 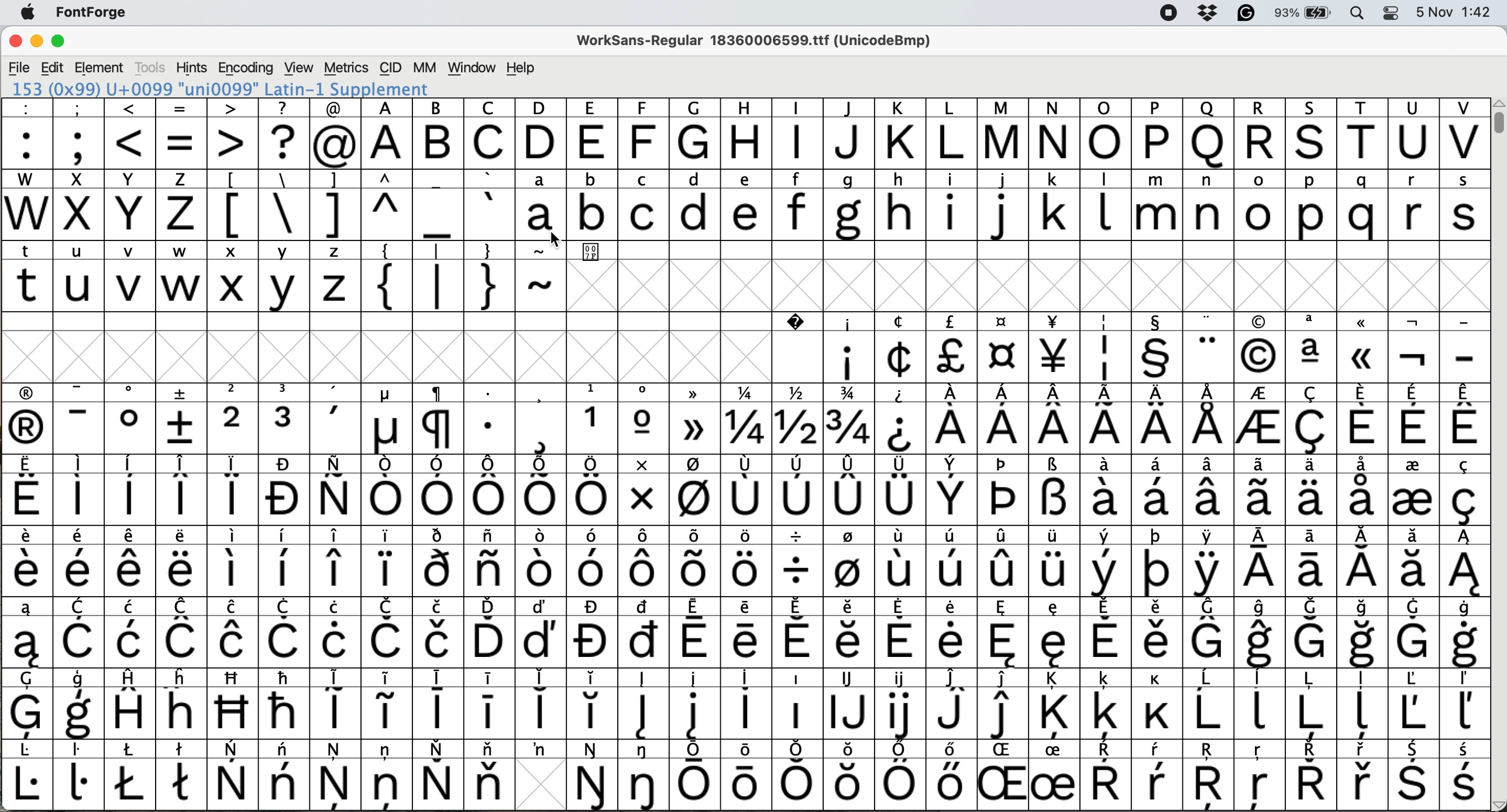 I want to click on symbol, so click(x=901, y=703).